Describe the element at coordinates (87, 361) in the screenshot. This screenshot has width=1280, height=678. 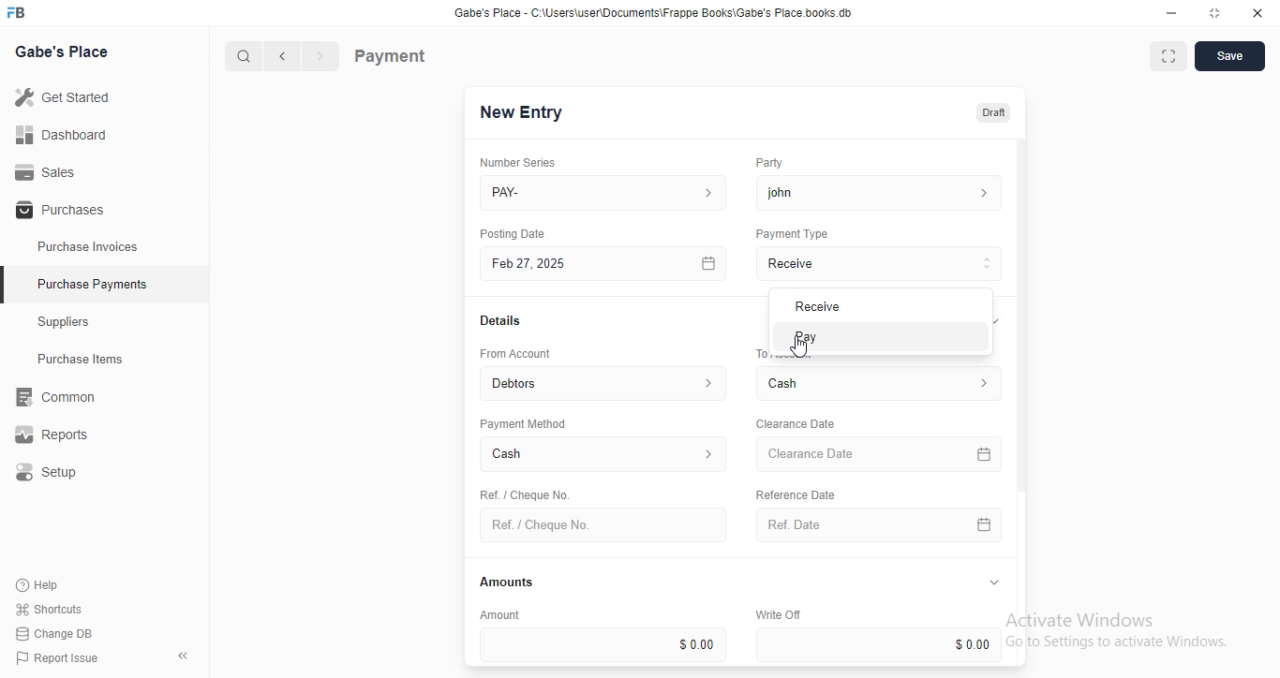
I see `Purchase Items.` at that location.